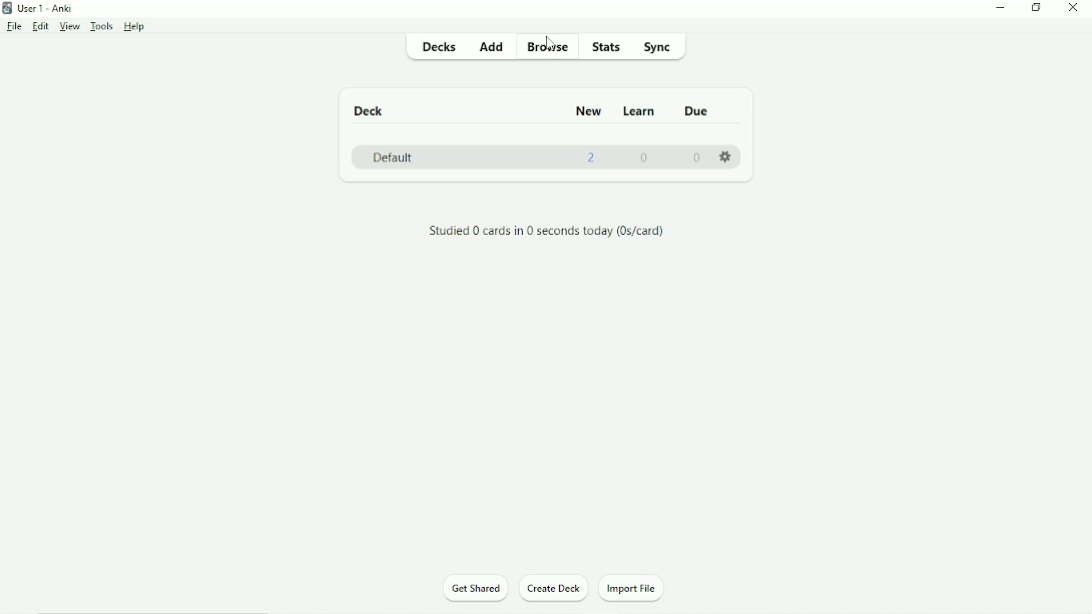 The height and width of the screenshot is (614, 1092). What do you see at coordinates (608, 47) in the screenshot?
I see `Stats` at bounding box center [608, 47].